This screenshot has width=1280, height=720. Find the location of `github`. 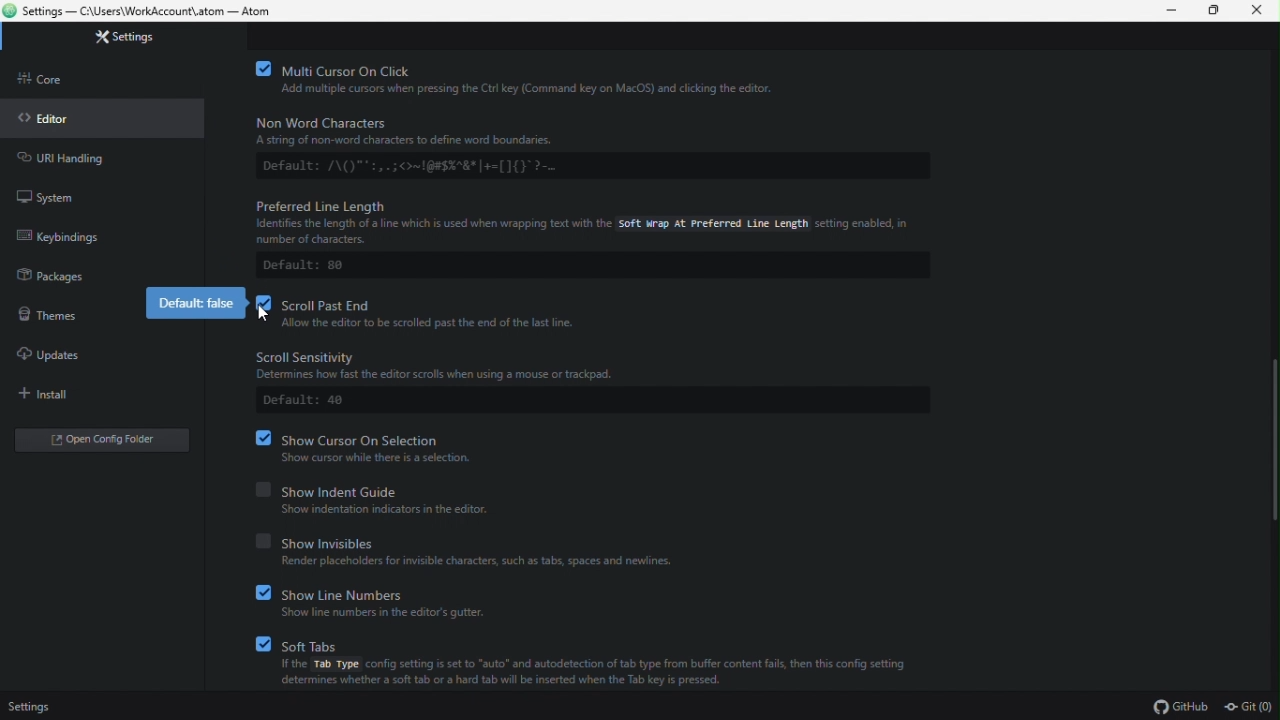

github is located at coordinates (1180, 706).